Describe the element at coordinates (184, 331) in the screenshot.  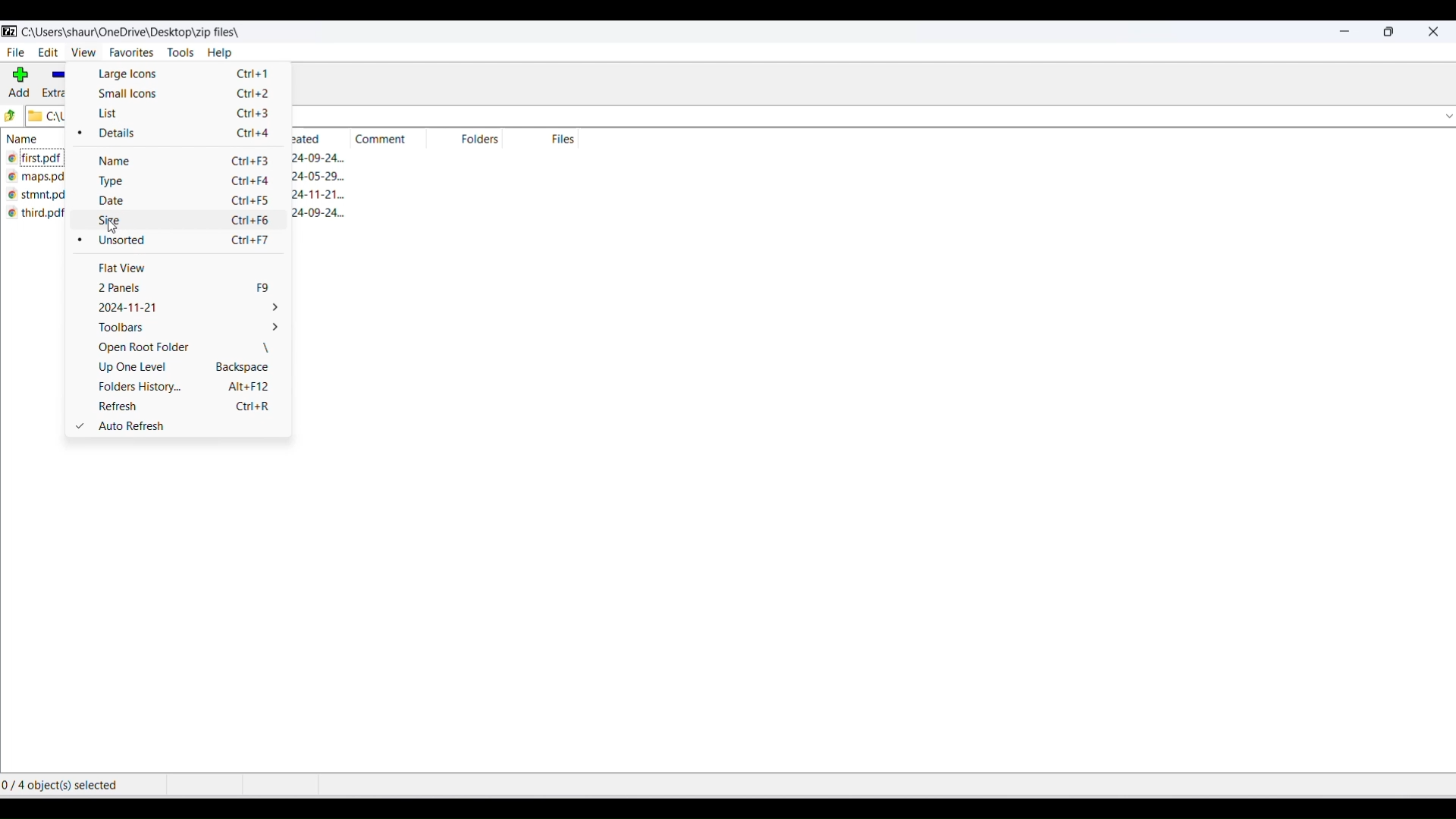
I see `toolbars` at that location.